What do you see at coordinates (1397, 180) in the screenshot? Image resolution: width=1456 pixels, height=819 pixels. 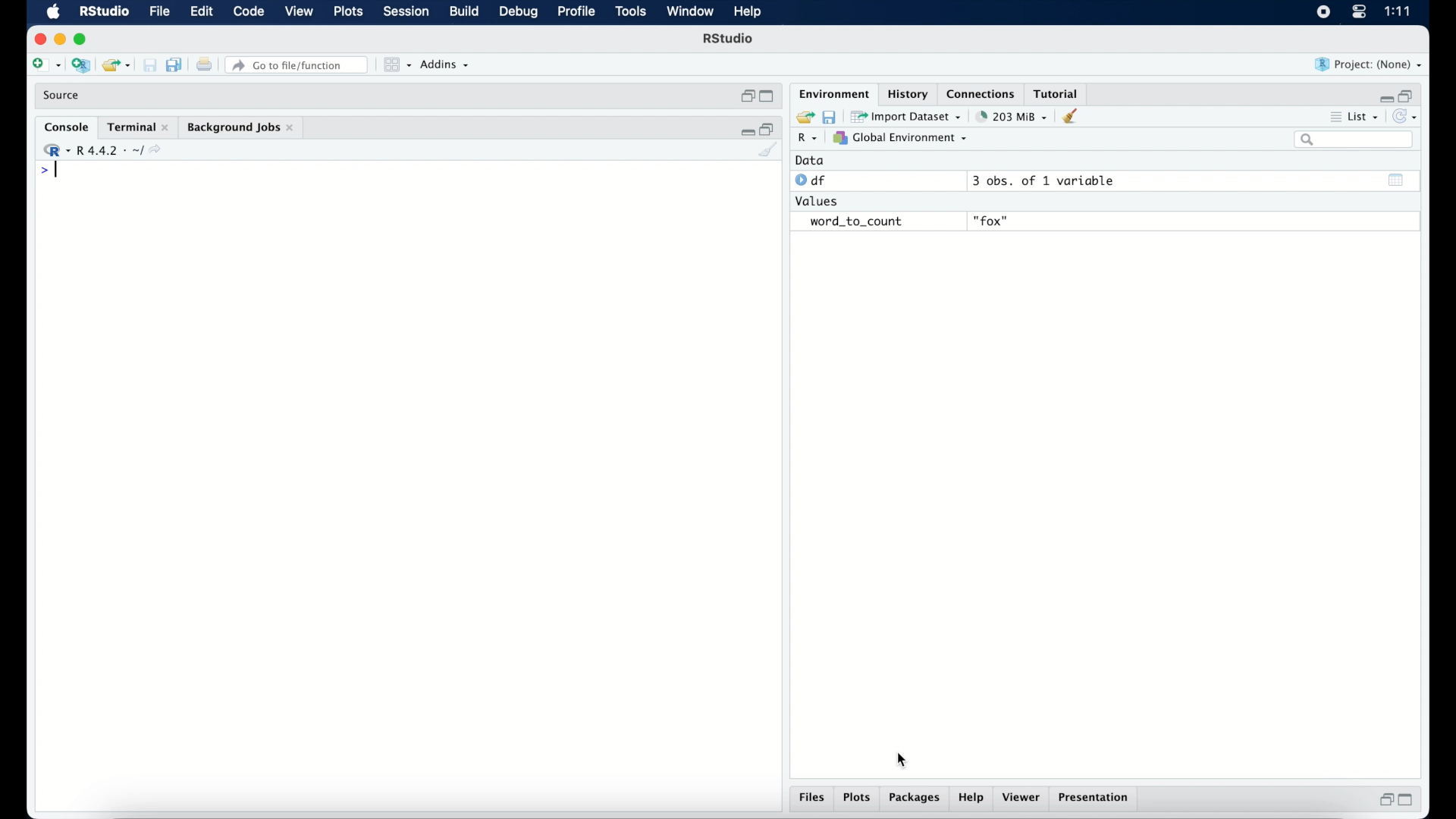 I see `show output window` at bounding box center [1397, 180].